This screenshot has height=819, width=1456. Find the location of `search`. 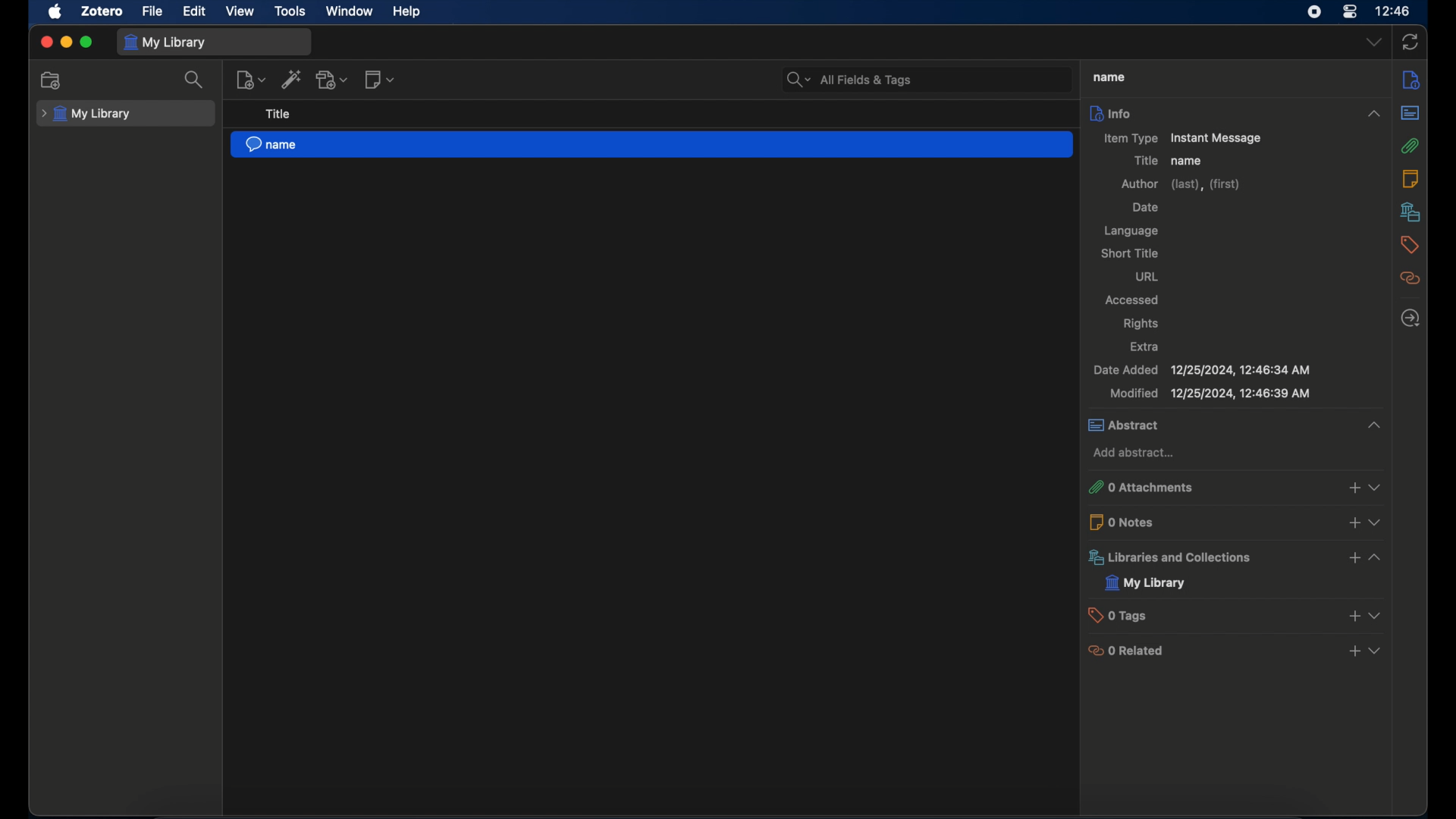

search is located at coordinates (194, 80).